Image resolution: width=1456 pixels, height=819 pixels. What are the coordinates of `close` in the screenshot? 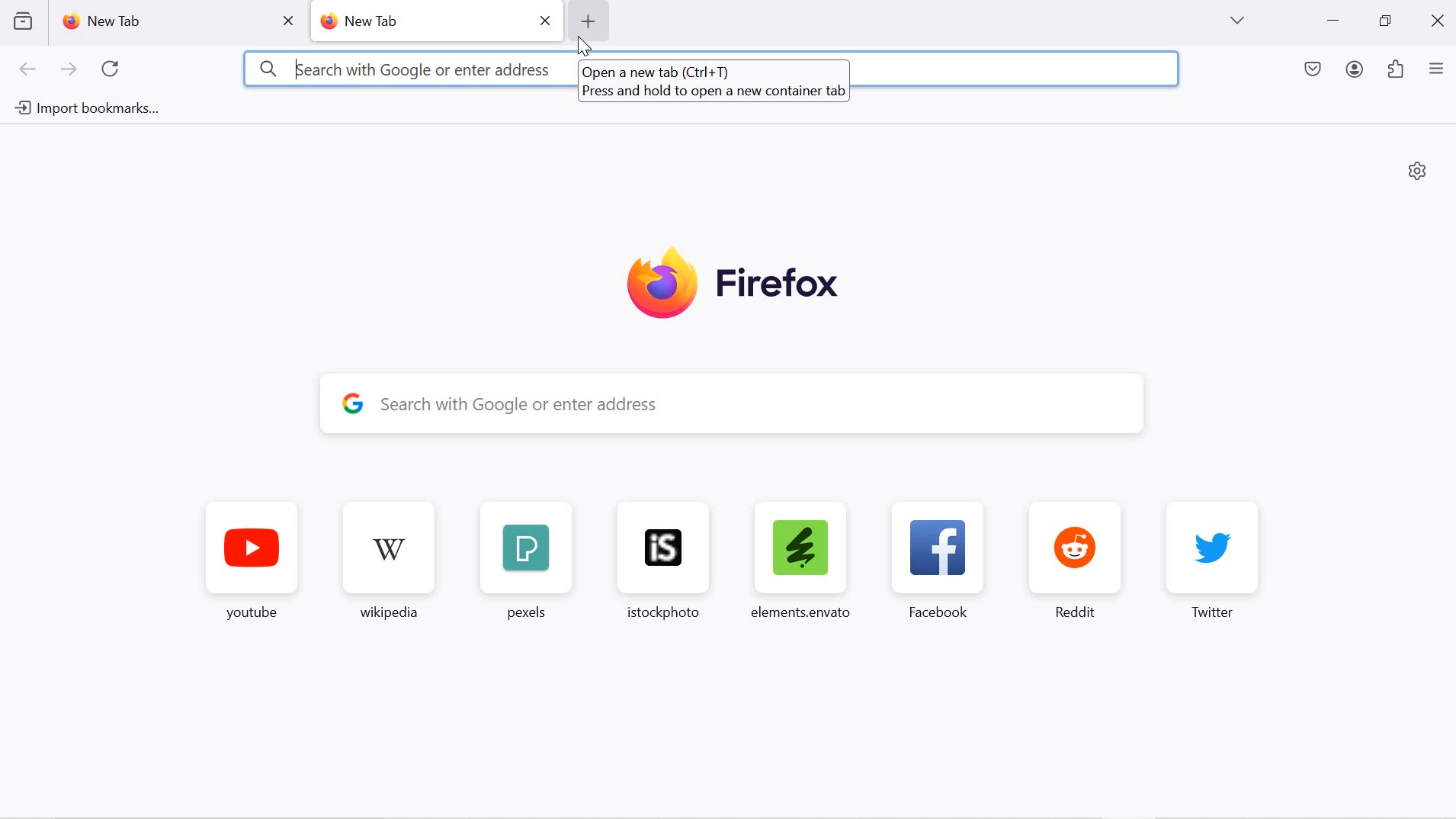 It's located at (1440, 19).